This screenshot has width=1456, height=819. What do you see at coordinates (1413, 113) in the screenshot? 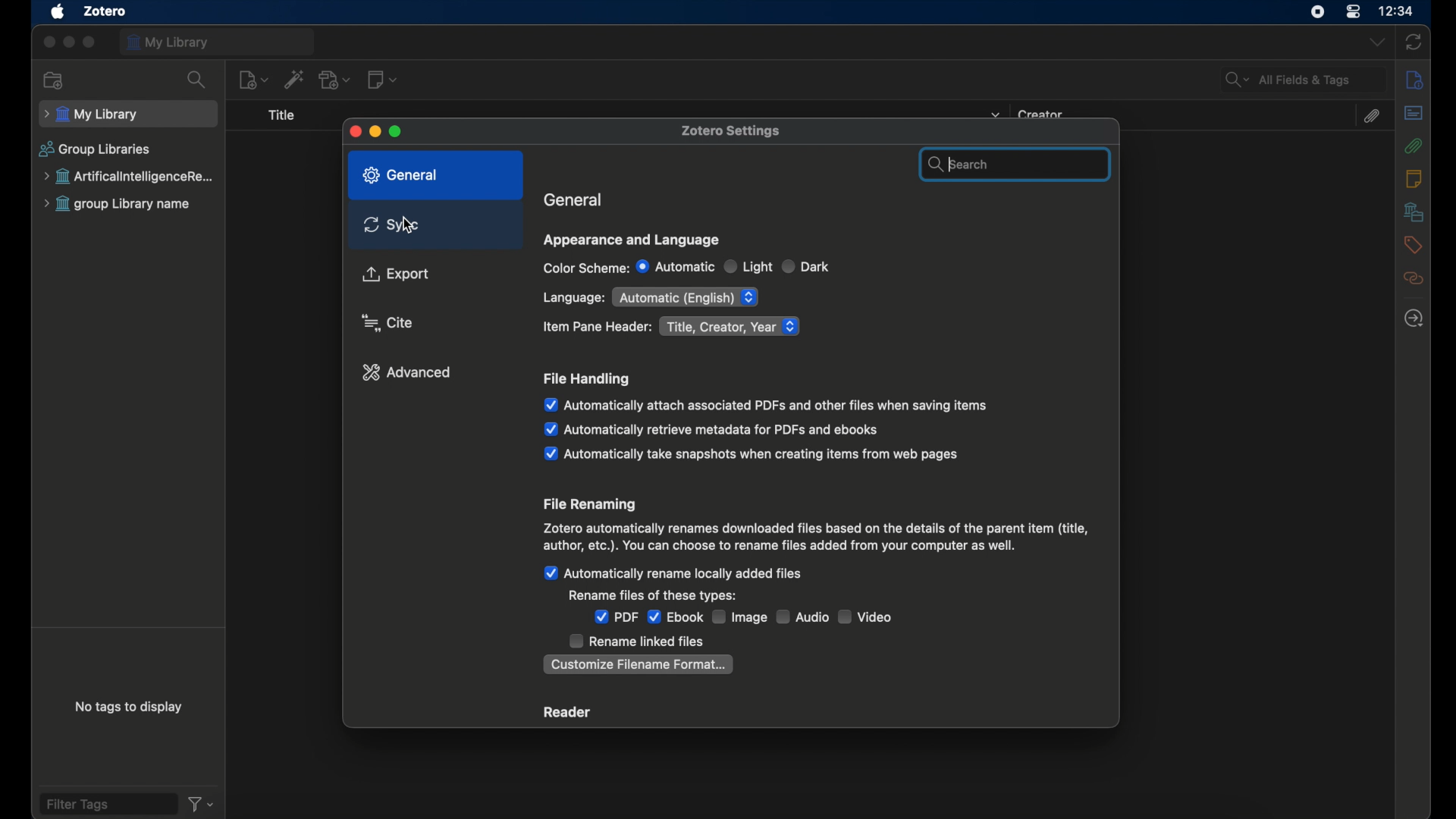
I see `abstract` at bounding box center [1413, 113].